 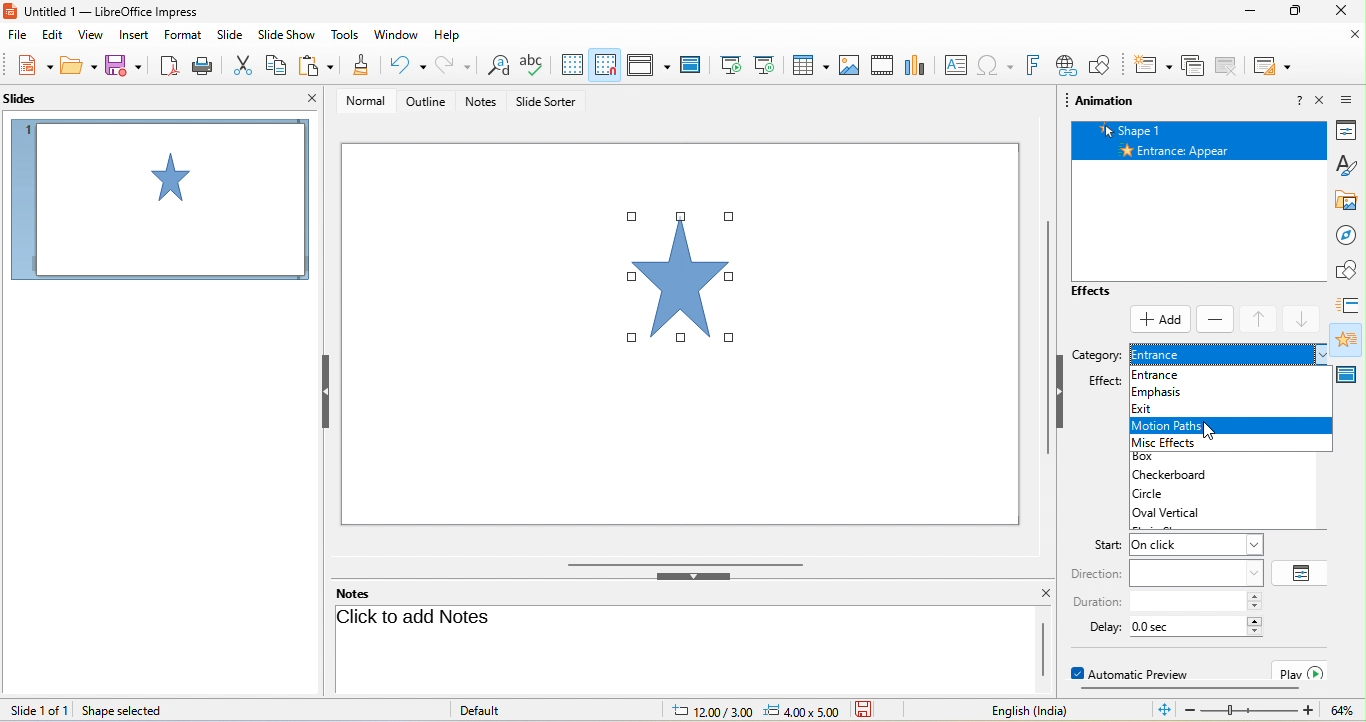 What do you see at coordinates (1302, 671) in the screenshot?
I see `play` at bounding box center [1302, 671].